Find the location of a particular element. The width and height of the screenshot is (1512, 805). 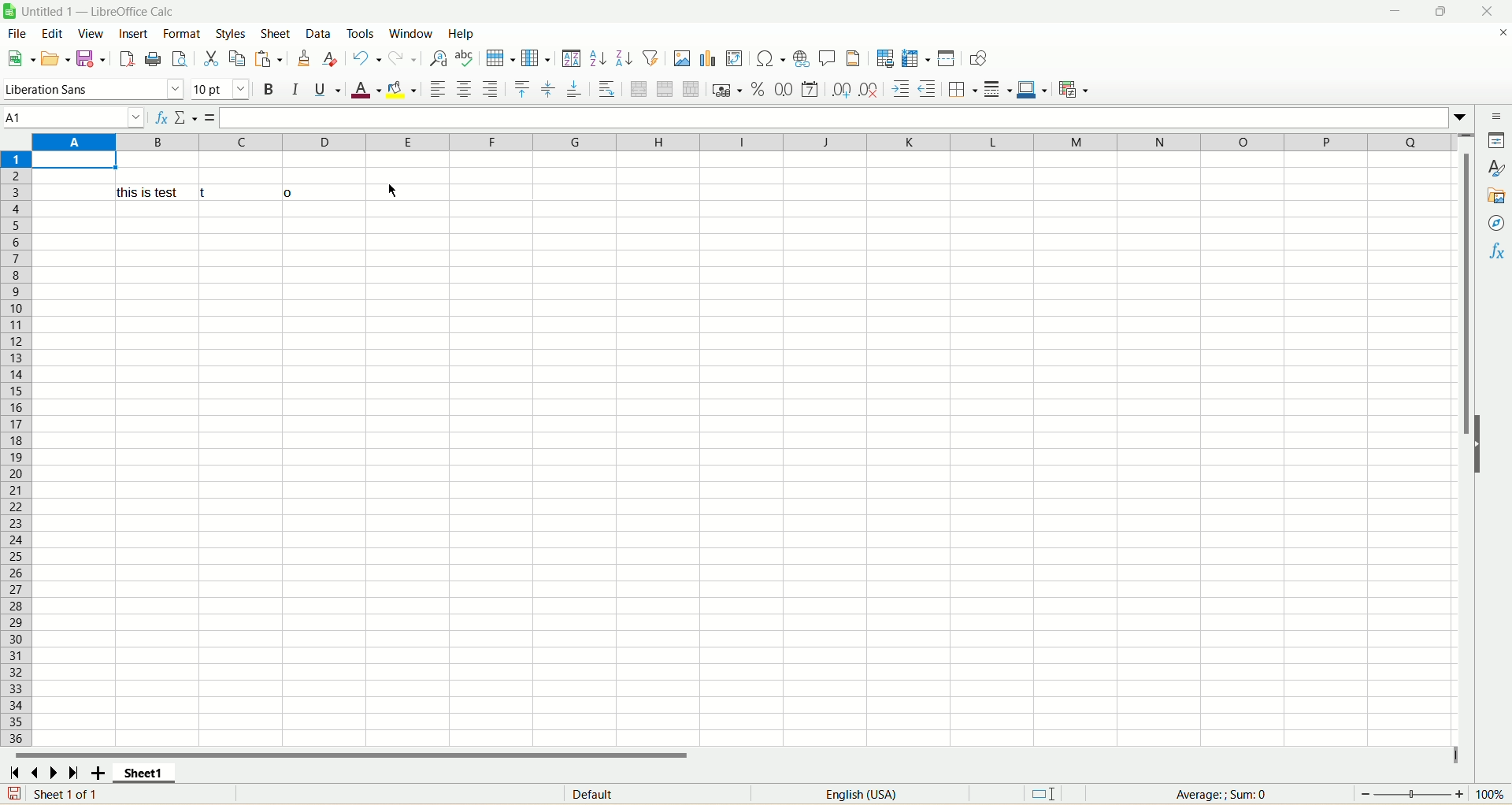

formula bar is located at coordinates (831, 117).